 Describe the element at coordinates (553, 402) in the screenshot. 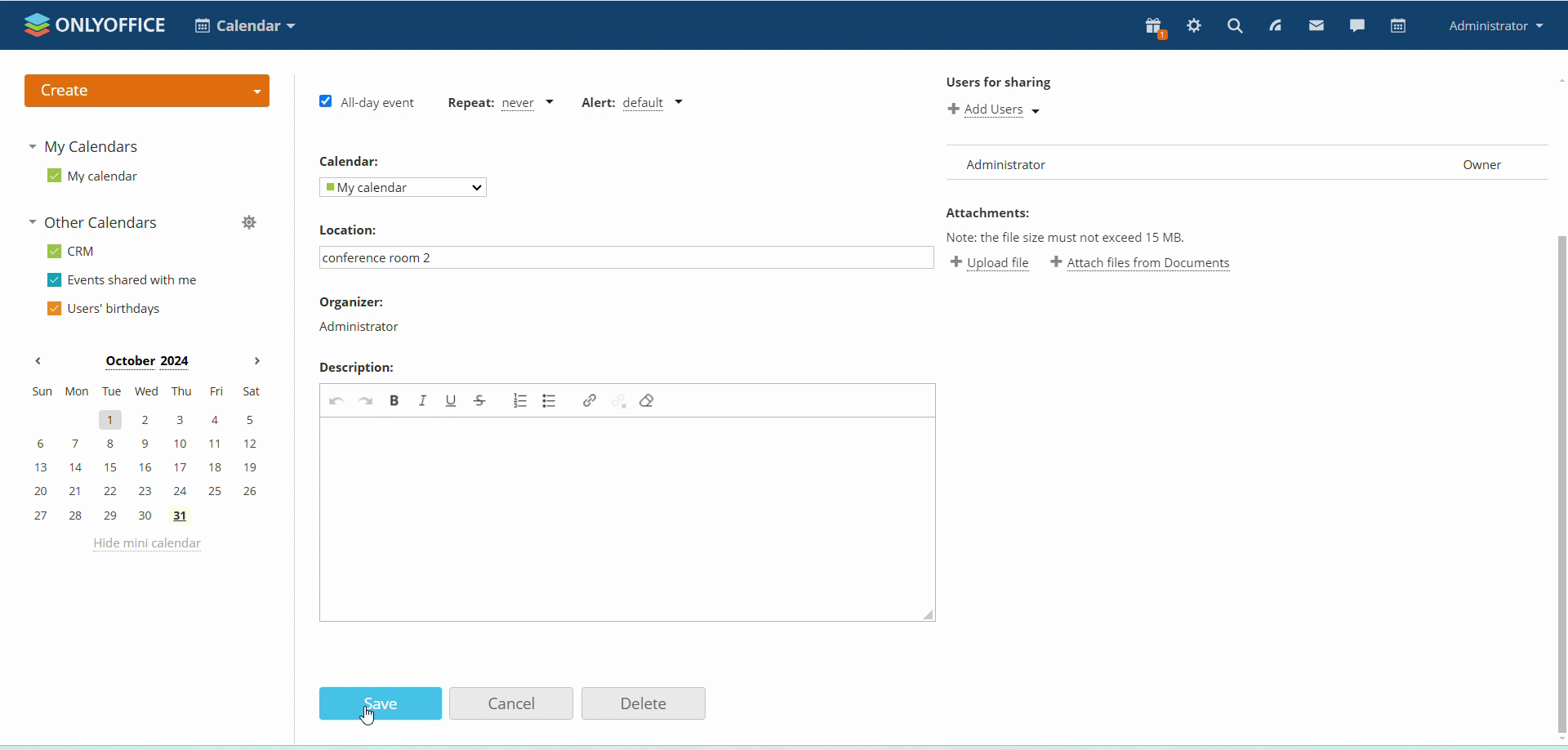

I see `add/remove bulleted list` at that location.